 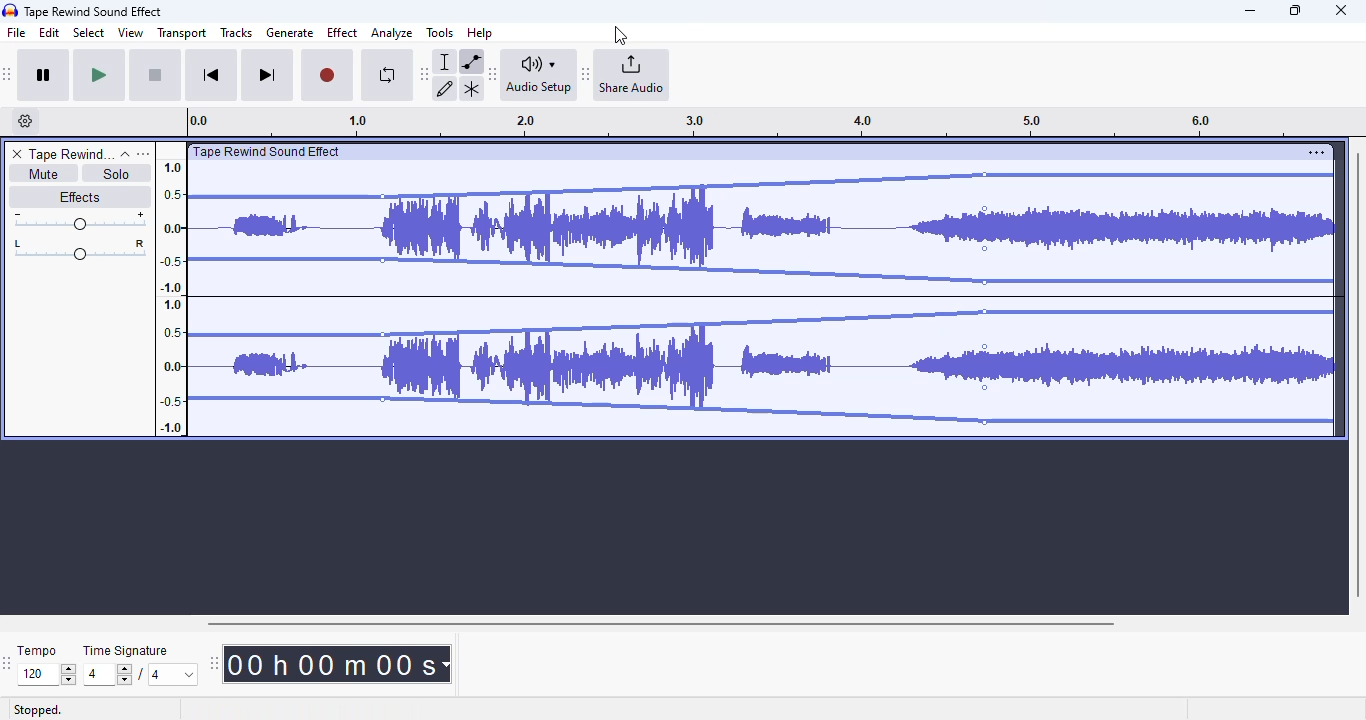 I want to click on share audio, so click(x=633, y=75).